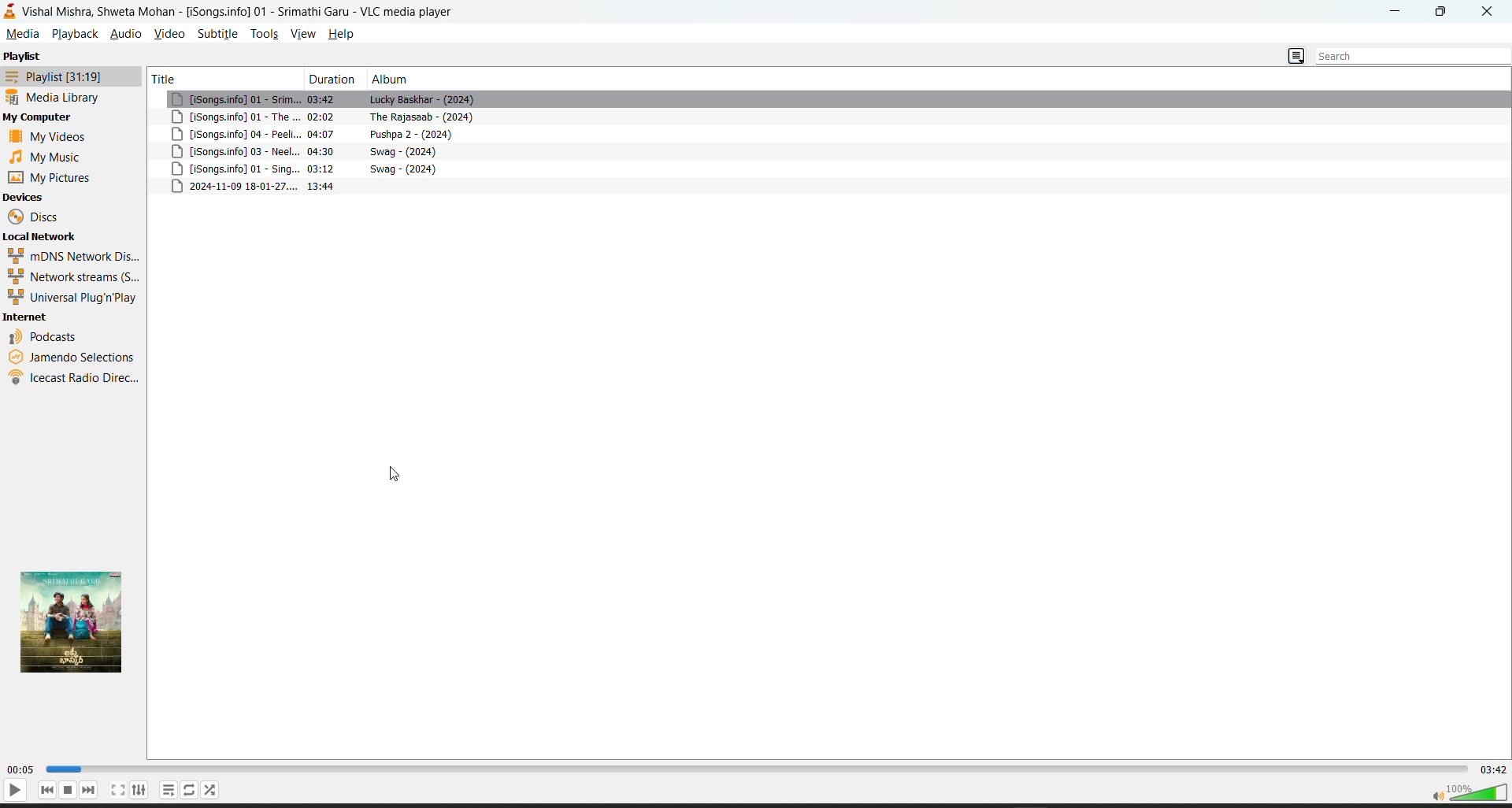 Image resolution: width=1512 pixels, height=808 pixels. Describe the element at coordinates (139, 790) in the screenshot. I see `settings` at that location.